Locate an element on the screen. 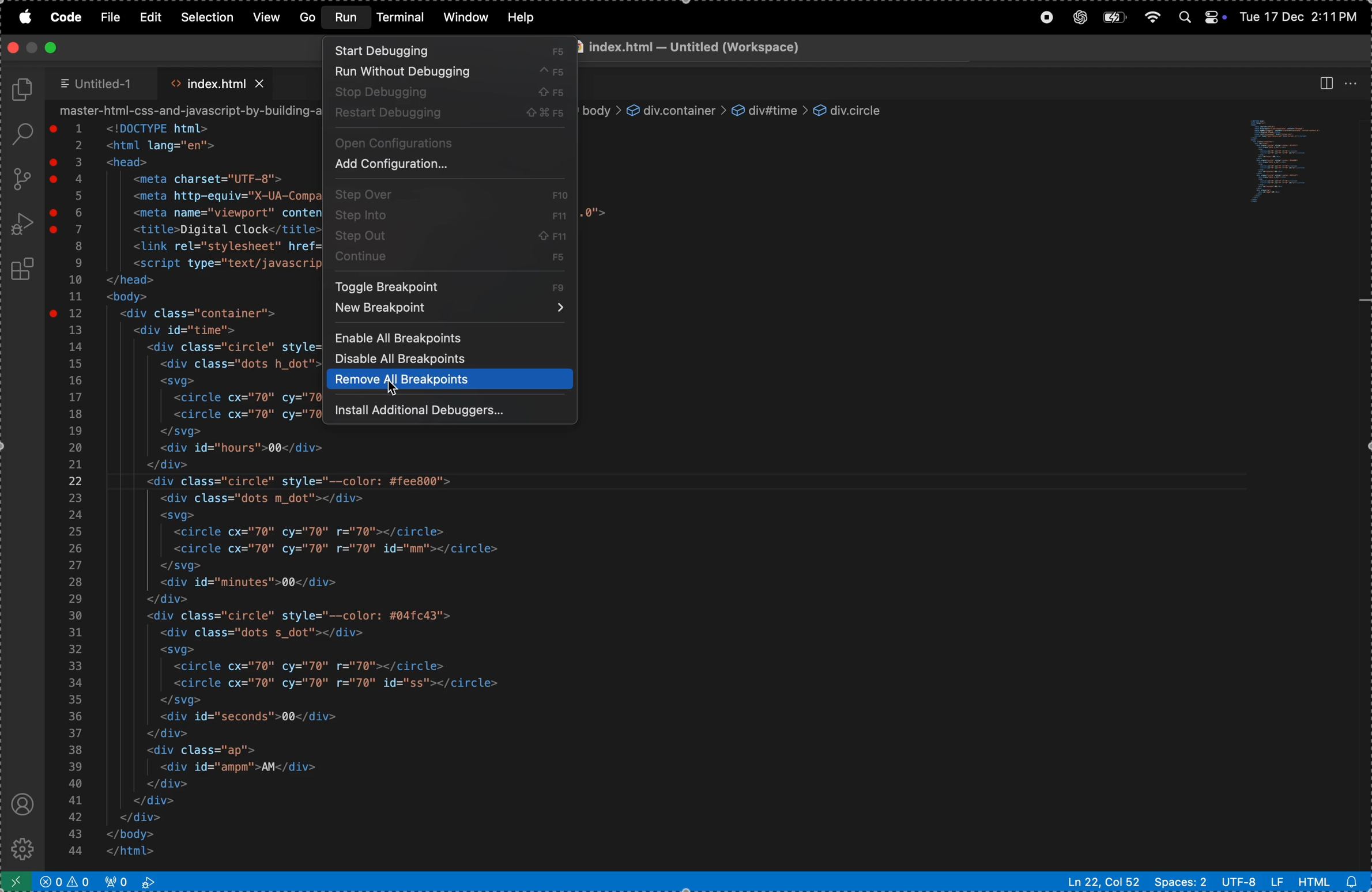 This screenshot has height=892, width=1372. step into is located at coordinates (448, 214).